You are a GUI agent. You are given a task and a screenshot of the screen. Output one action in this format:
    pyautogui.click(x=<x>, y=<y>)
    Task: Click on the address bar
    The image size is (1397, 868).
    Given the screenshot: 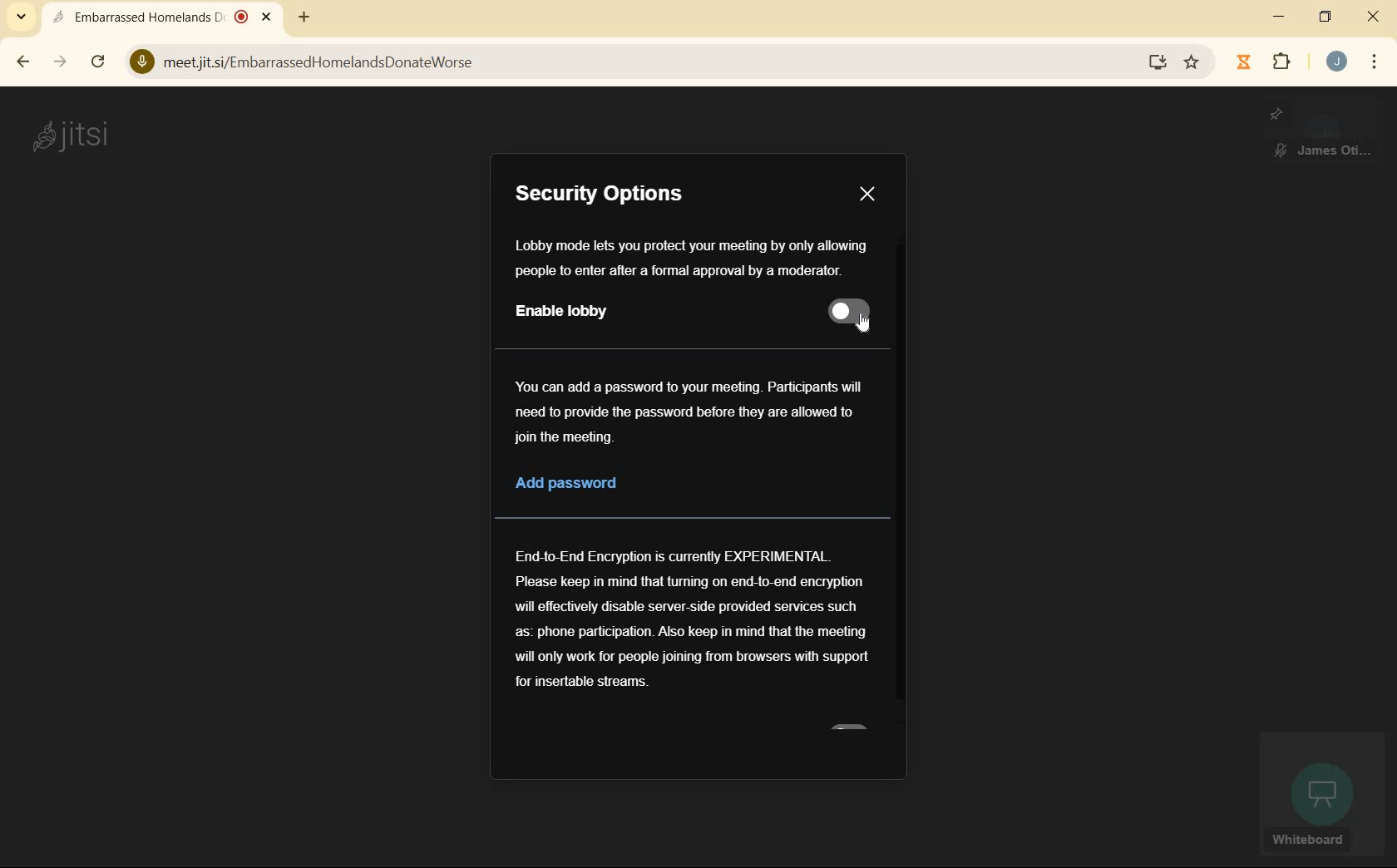 What is the action you would take?
    pyautogui.click(x=644, y=63)
    